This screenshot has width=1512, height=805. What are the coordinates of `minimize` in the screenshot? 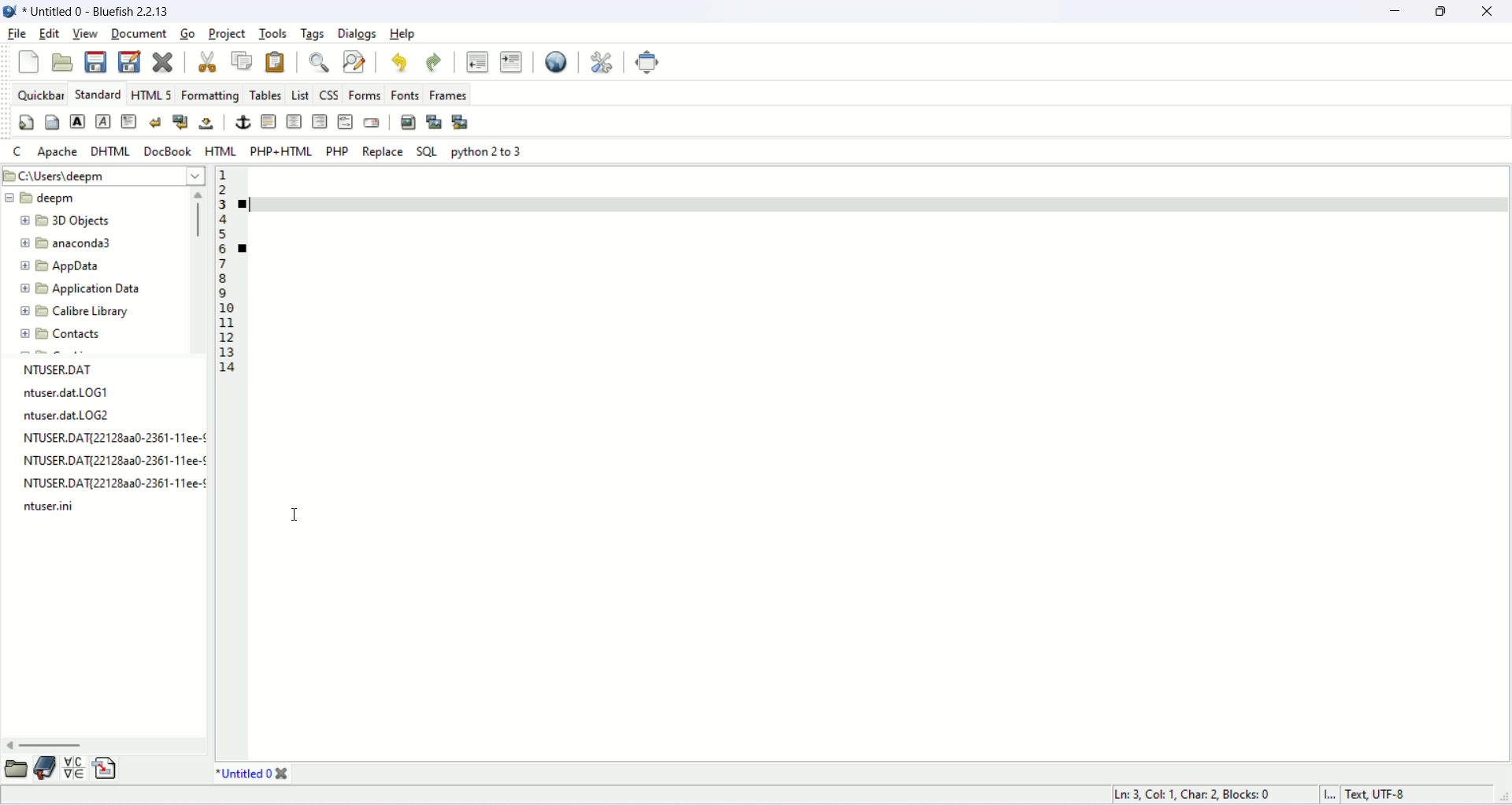 It's located at (1396, 12).